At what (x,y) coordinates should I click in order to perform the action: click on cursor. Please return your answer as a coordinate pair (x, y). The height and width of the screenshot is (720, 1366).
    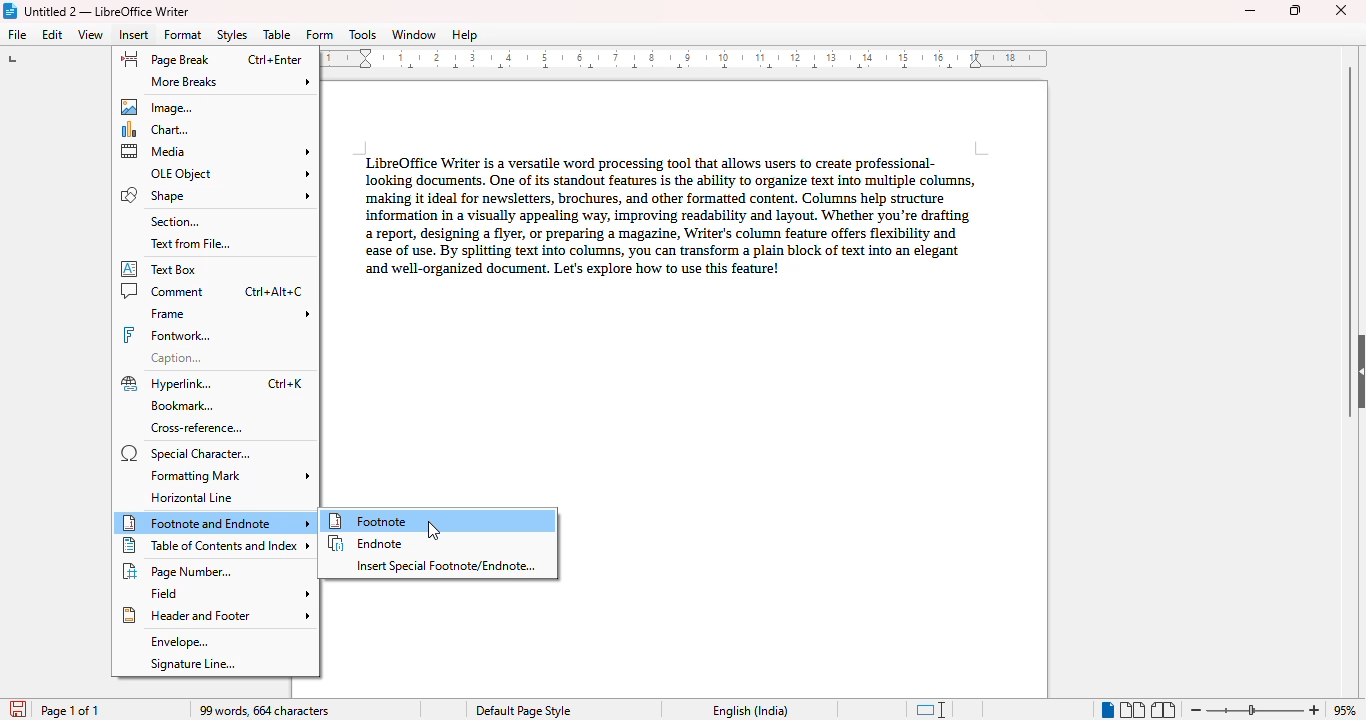
    Looking at the image, I should click on (434, 530).